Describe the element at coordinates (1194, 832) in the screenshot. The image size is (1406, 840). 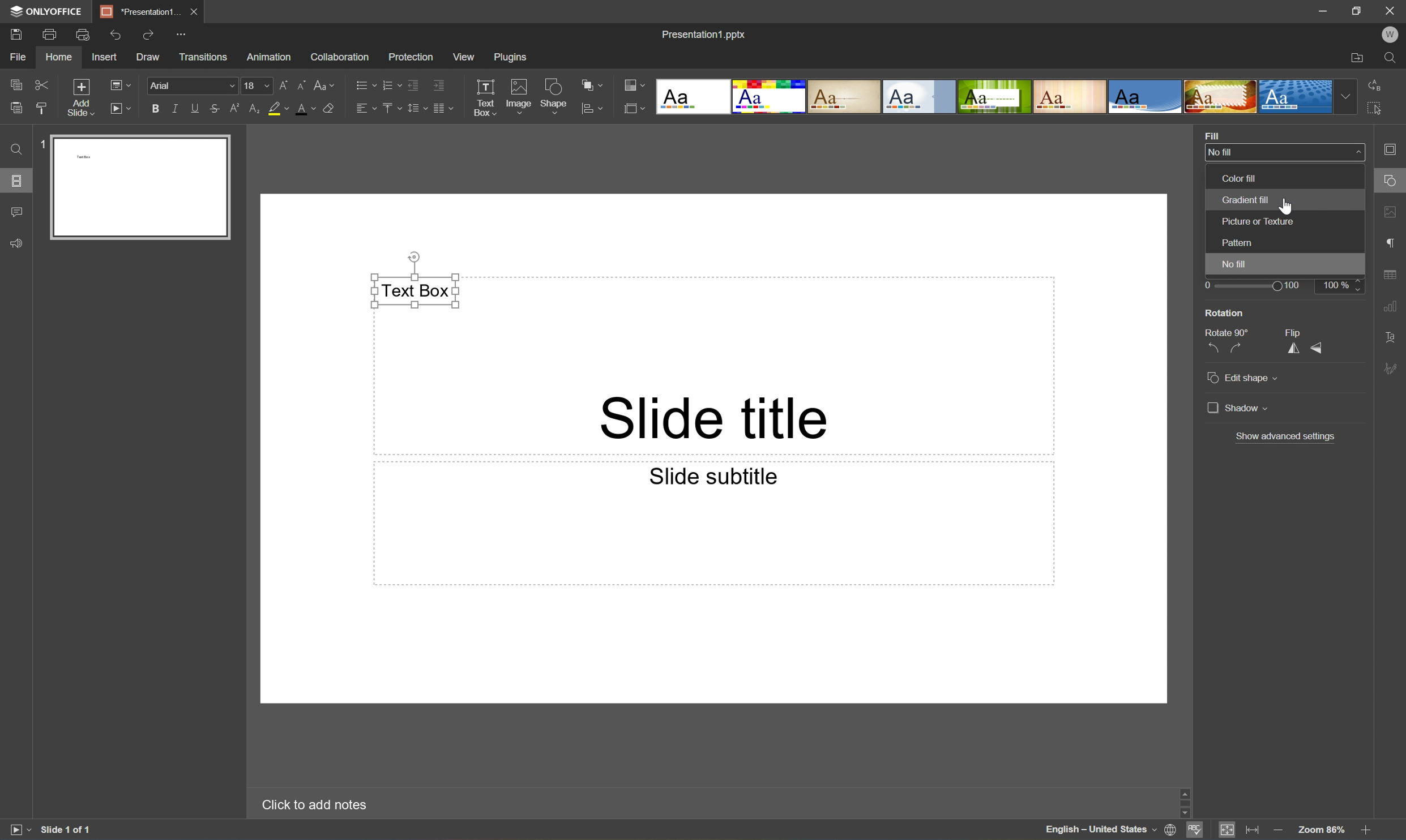
I see `Spell checking` at that location.